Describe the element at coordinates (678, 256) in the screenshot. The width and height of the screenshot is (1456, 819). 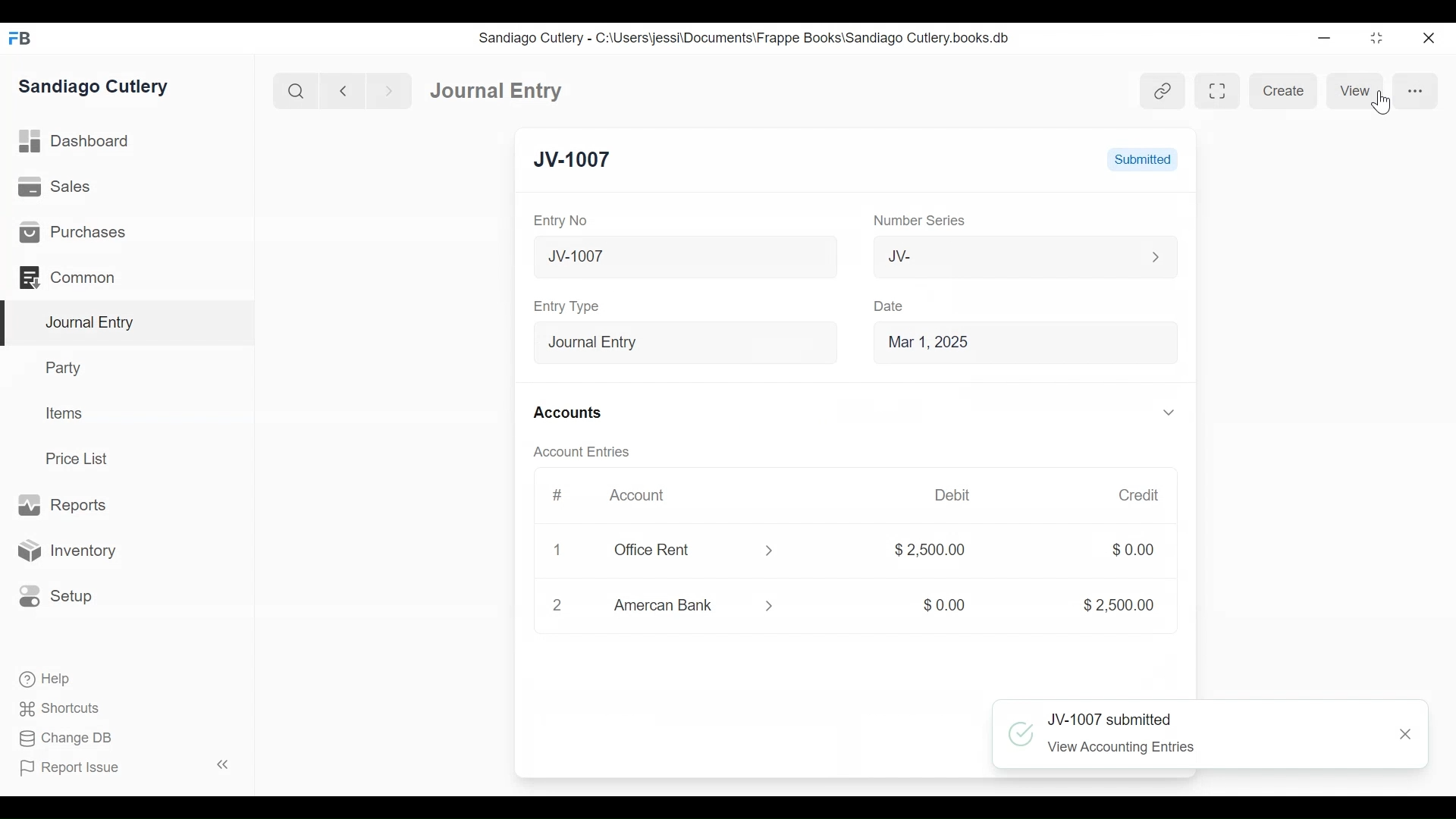
I see `New Journal Entry 01` at that location.